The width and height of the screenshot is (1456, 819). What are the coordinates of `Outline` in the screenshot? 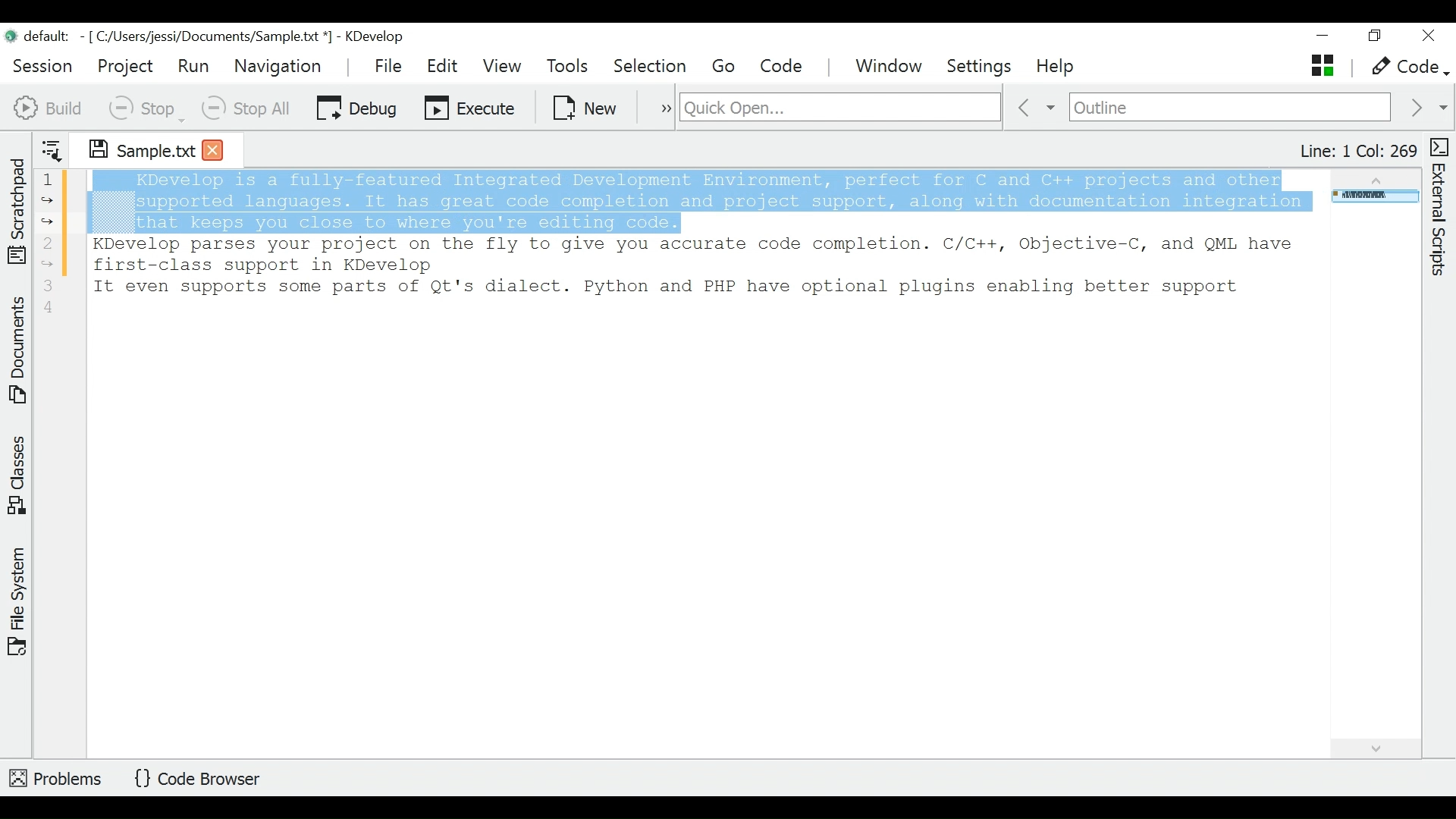 It's located at (1230, 108).